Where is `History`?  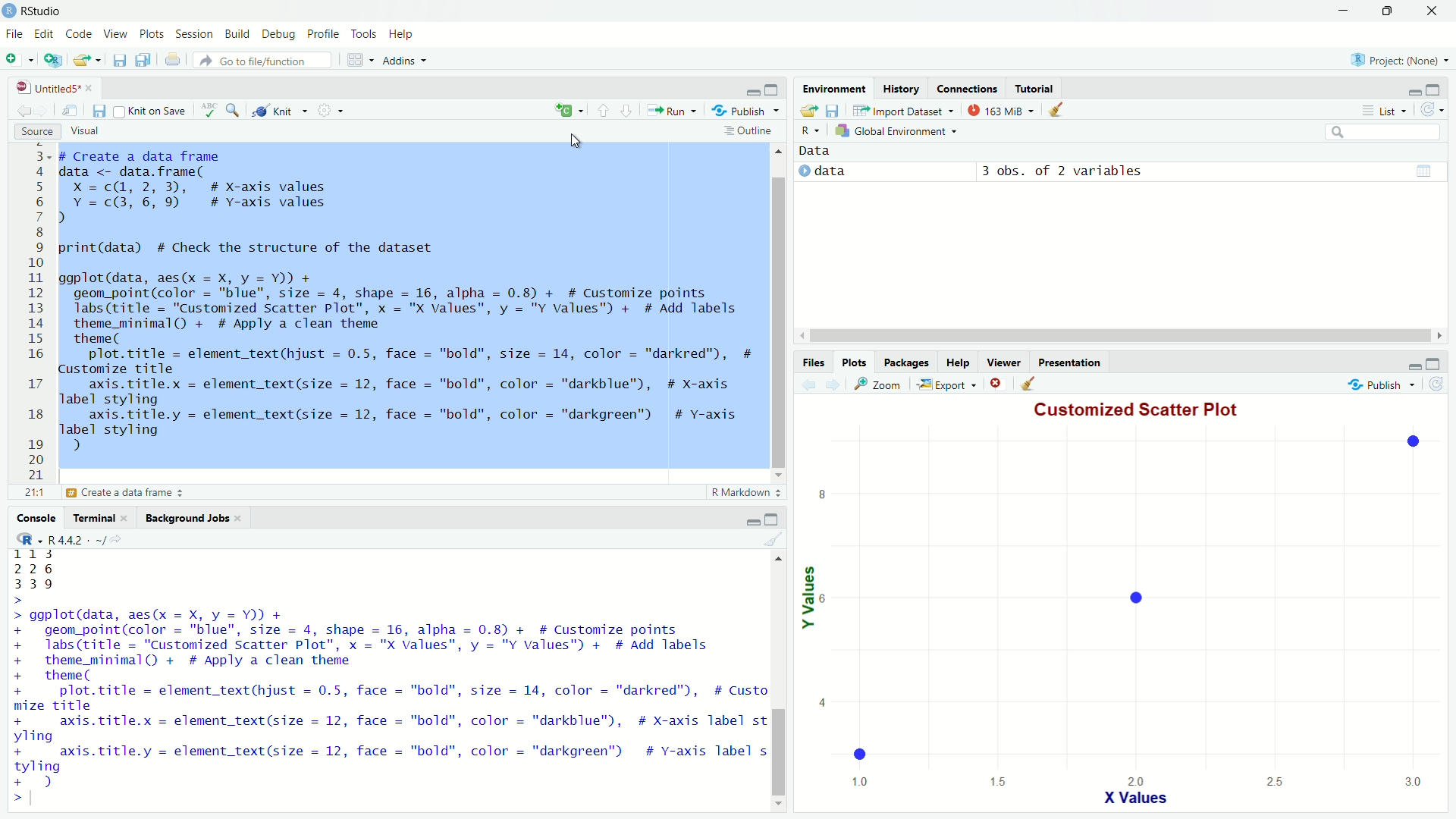 History is located at coordinates (899, 89).